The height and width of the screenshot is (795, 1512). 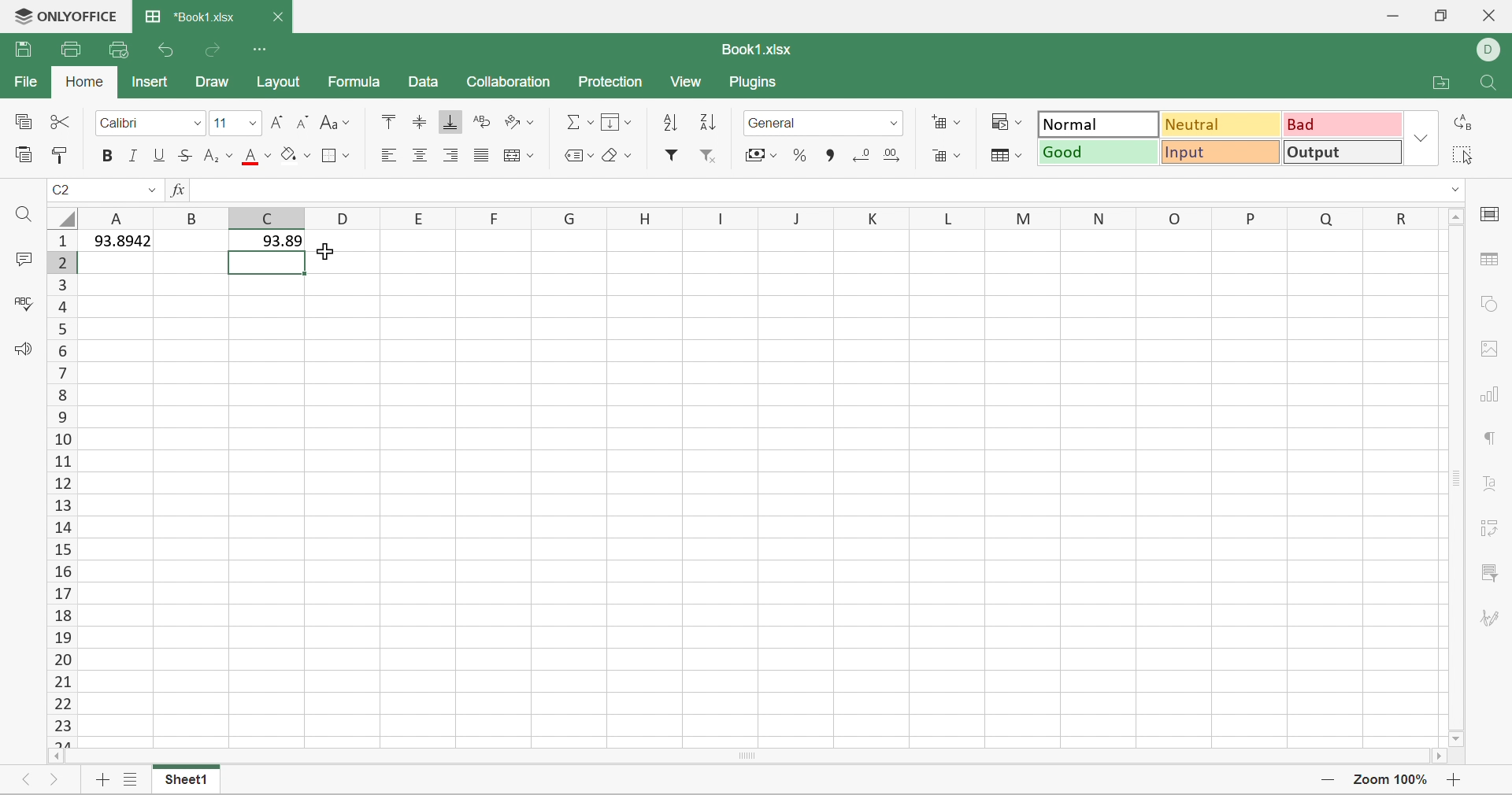 What do you see at coordinates (250, 189) in the screenshot?
I see `=ROUND(A1,2)` at bounding box center [250, 189].